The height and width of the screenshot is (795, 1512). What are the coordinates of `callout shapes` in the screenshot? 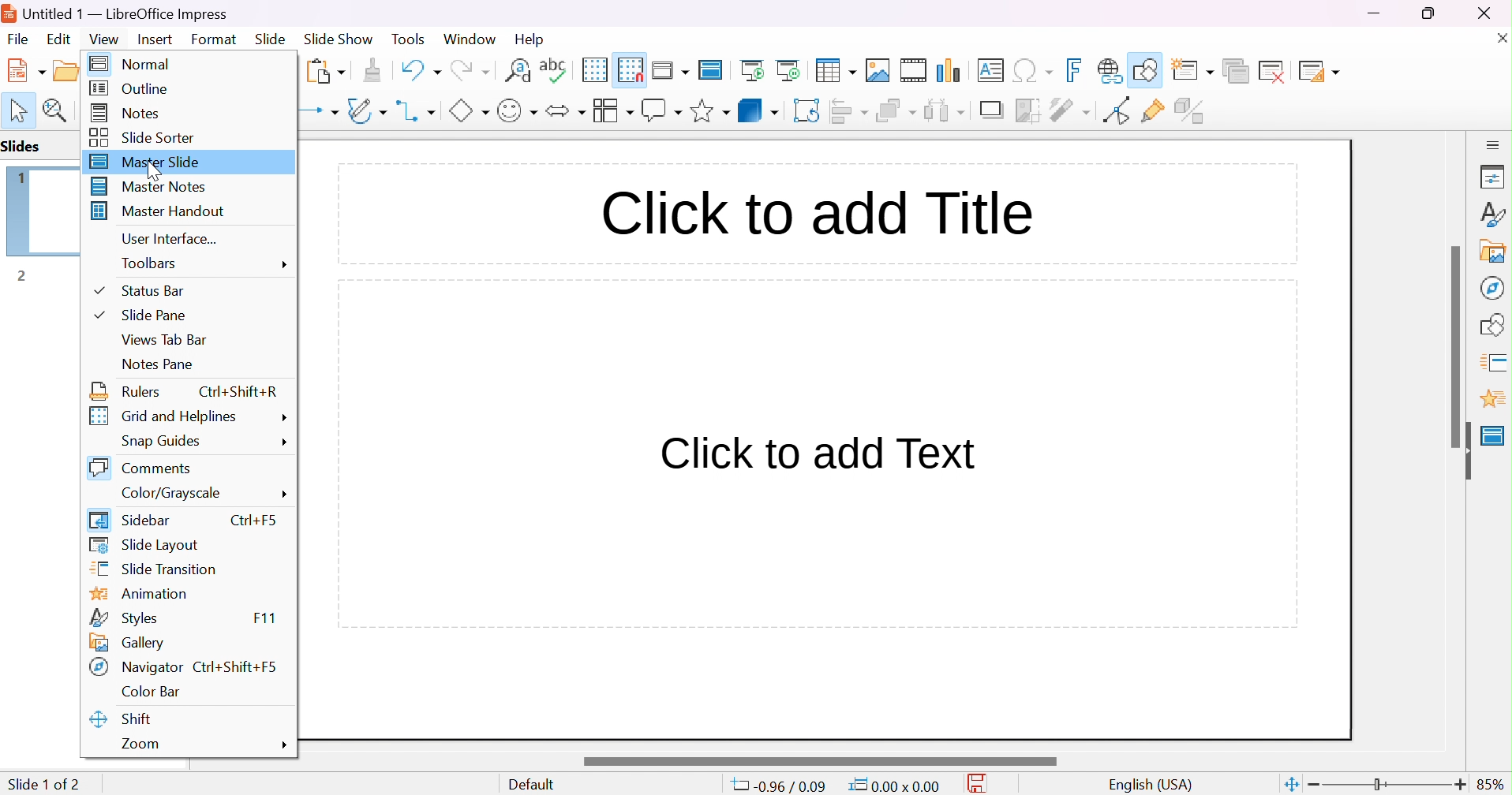 It's located at (661, 110).